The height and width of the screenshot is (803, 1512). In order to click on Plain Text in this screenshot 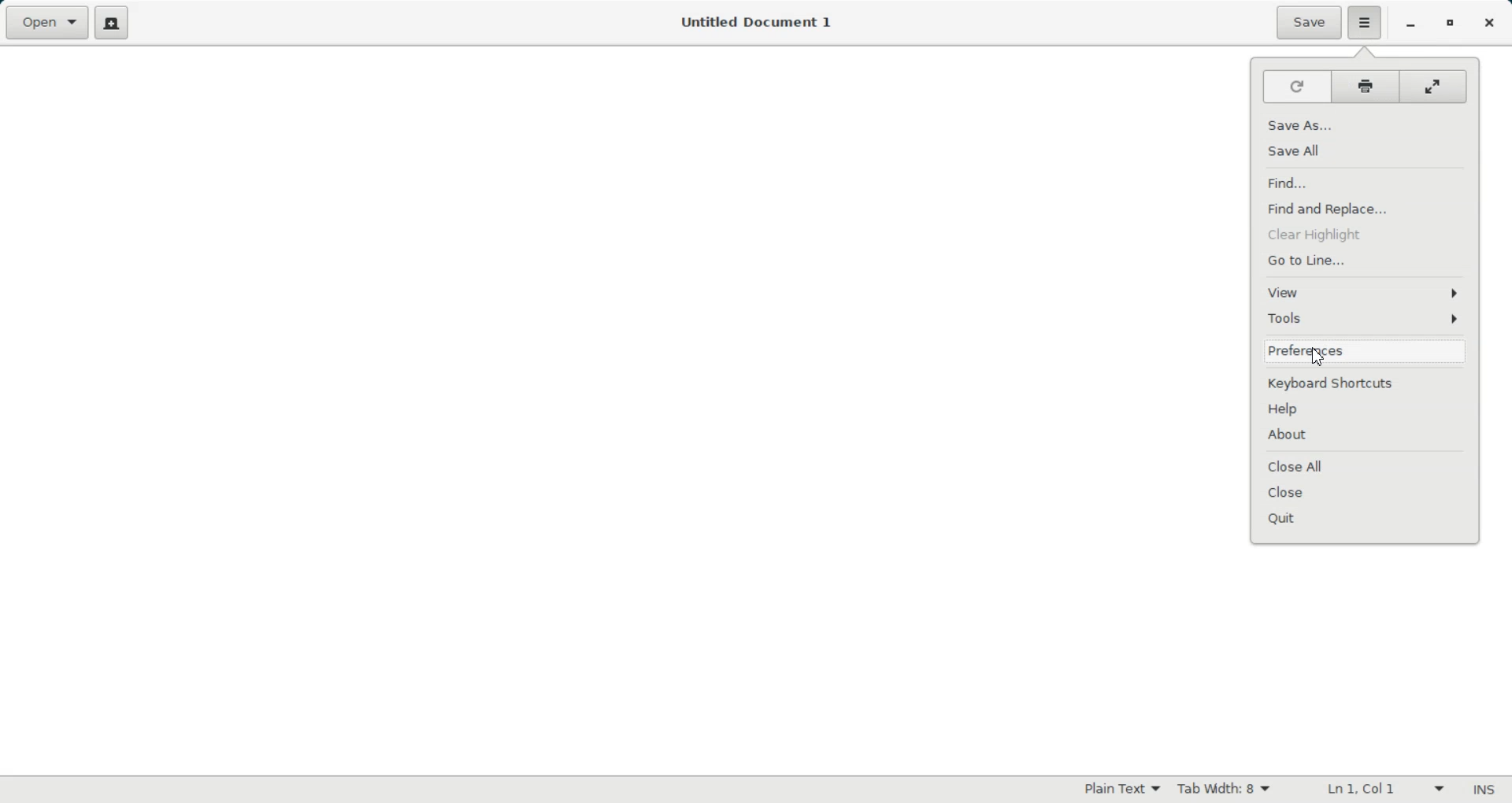, I will do `click(1121, 788)`.